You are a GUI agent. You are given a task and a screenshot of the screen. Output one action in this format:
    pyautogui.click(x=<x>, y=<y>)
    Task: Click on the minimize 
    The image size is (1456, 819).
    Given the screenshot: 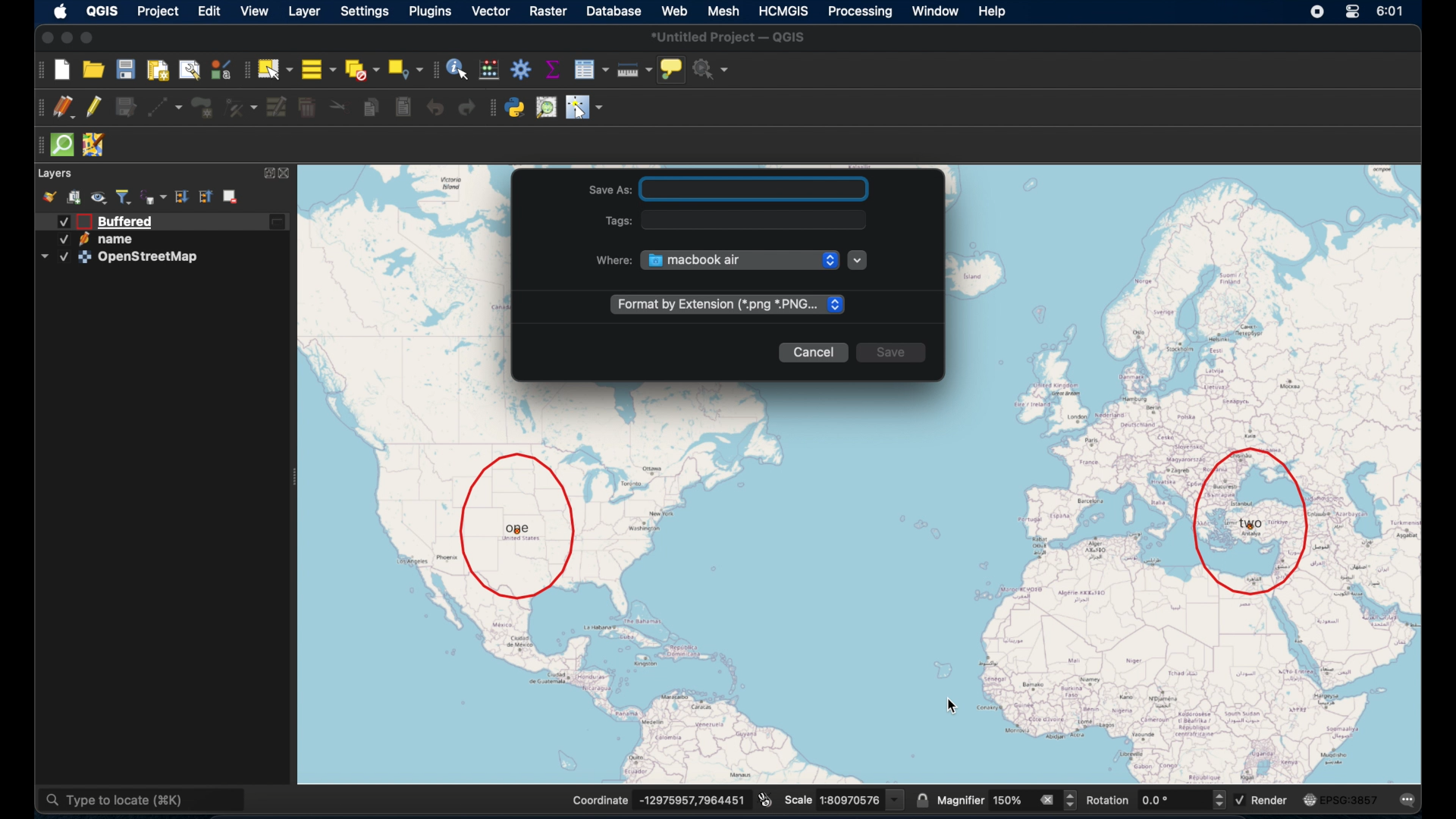 What is the action you would take?
    pyautogui.click(x=67, y=36)
    